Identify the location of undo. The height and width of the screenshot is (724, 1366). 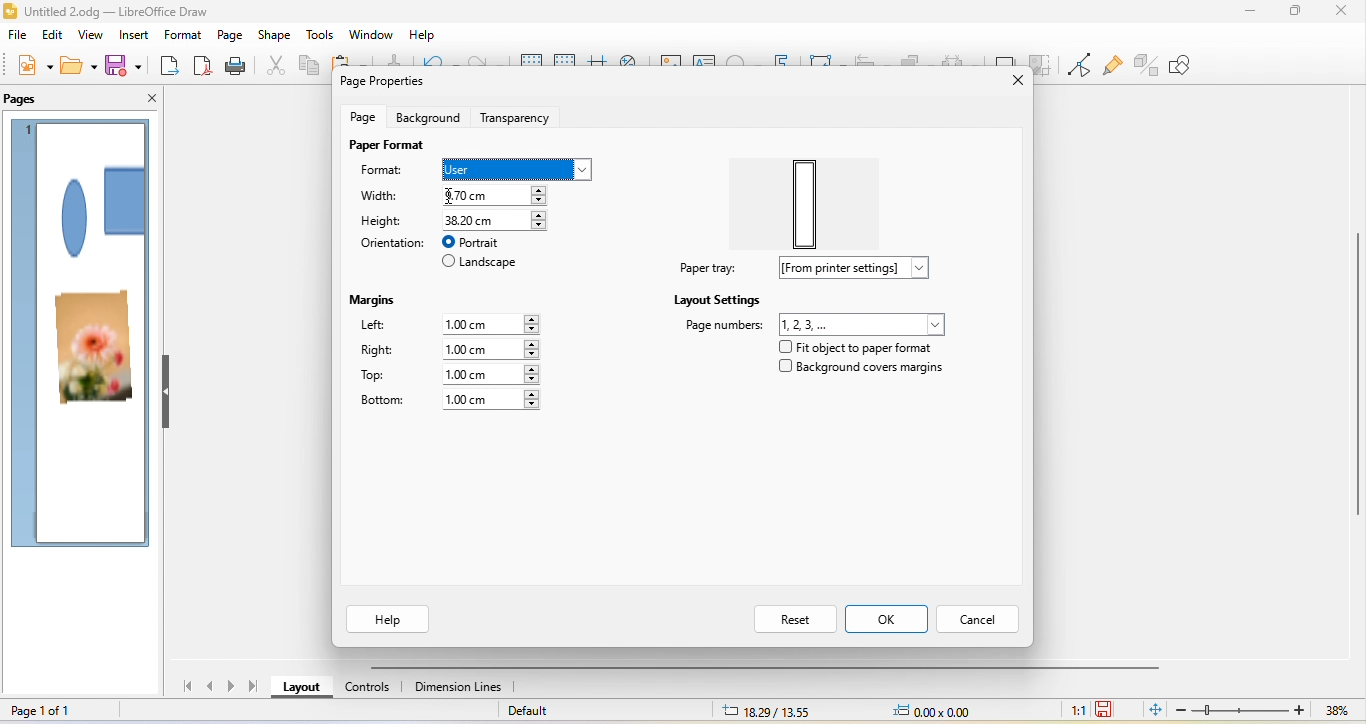
(443, 62).